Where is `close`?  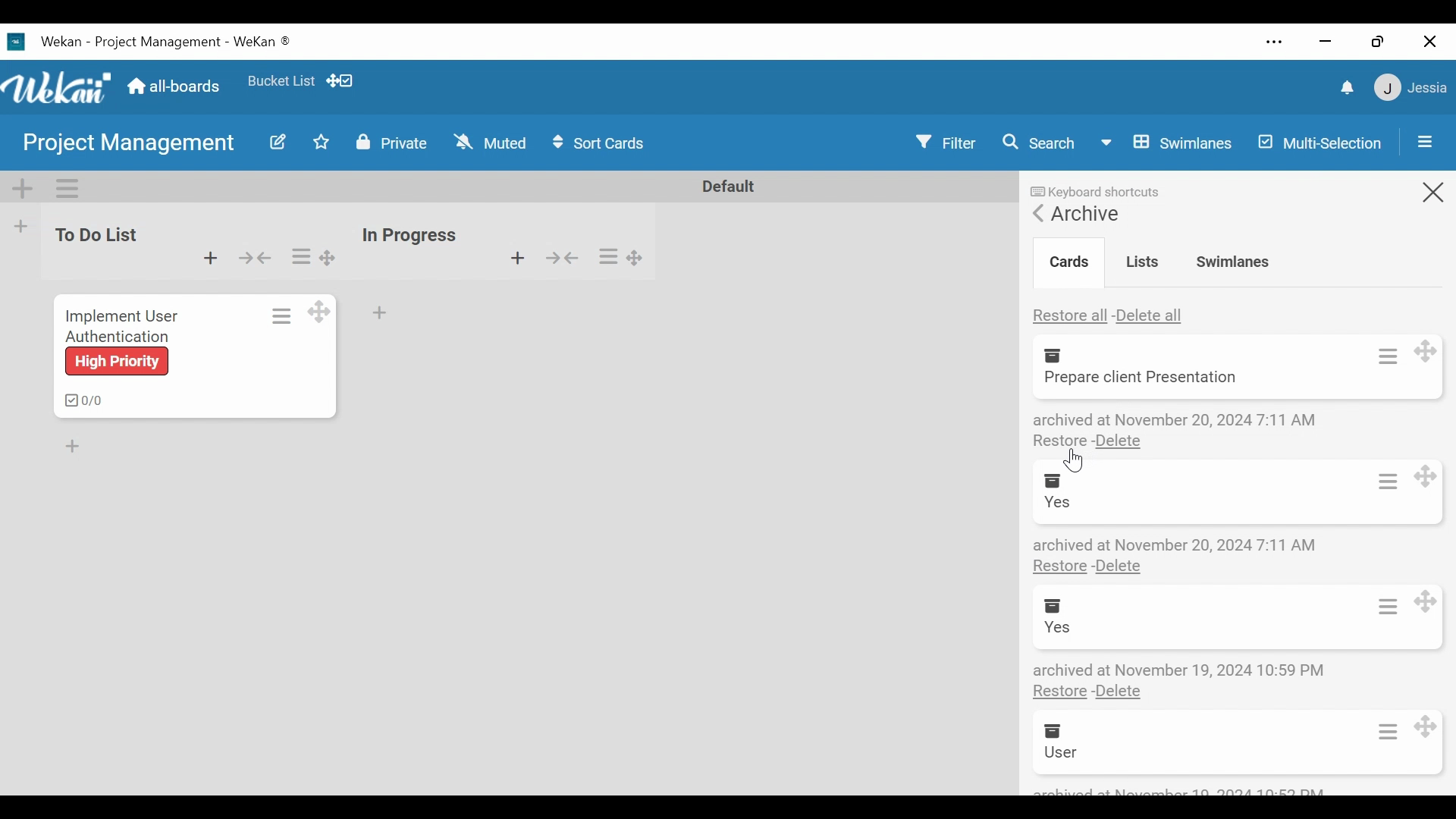
close is located at coordinates (1424, 195).